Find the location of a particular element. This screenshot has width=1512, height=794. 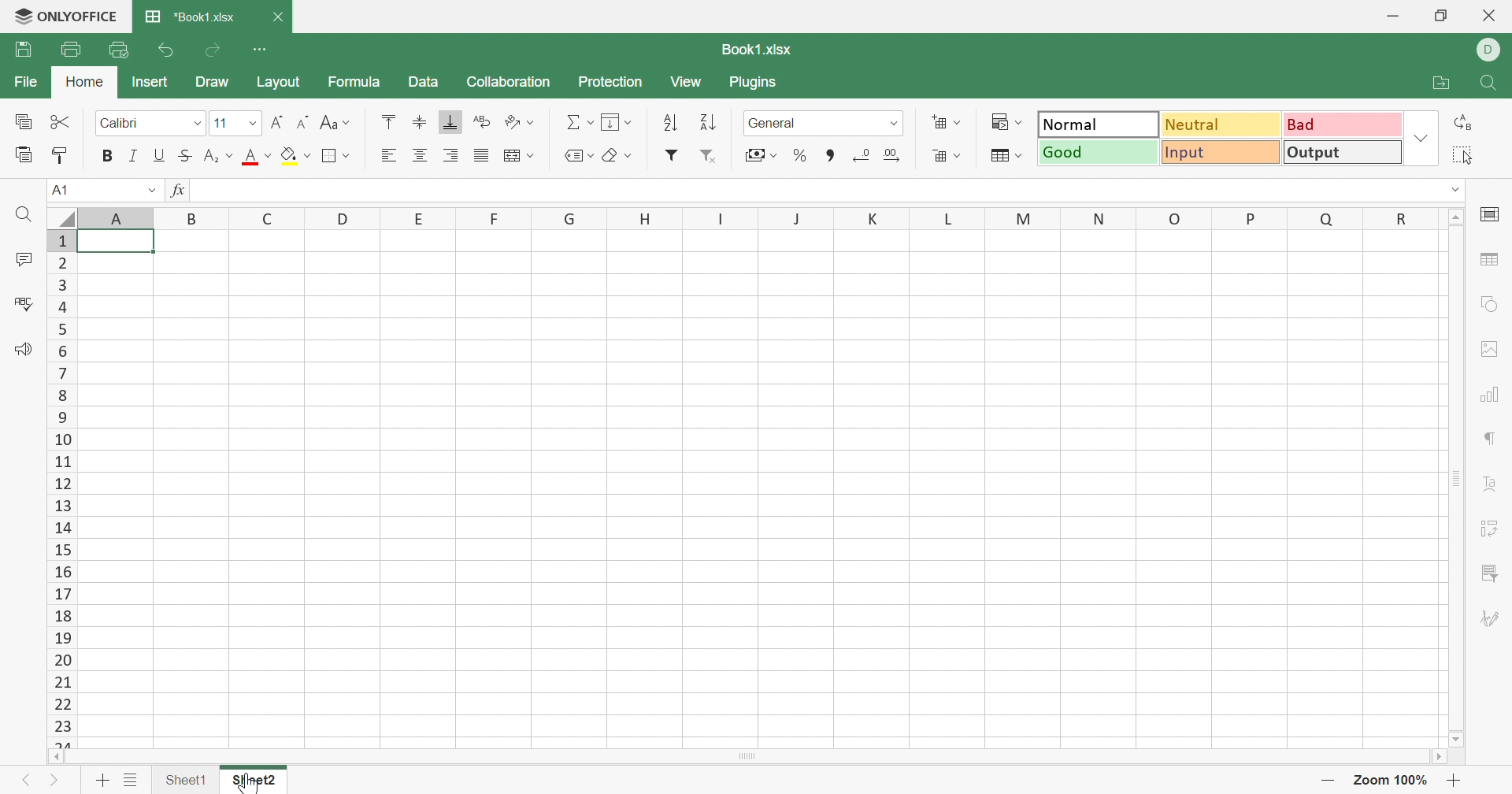

Increase decimal is located at coordinates (893, 157).